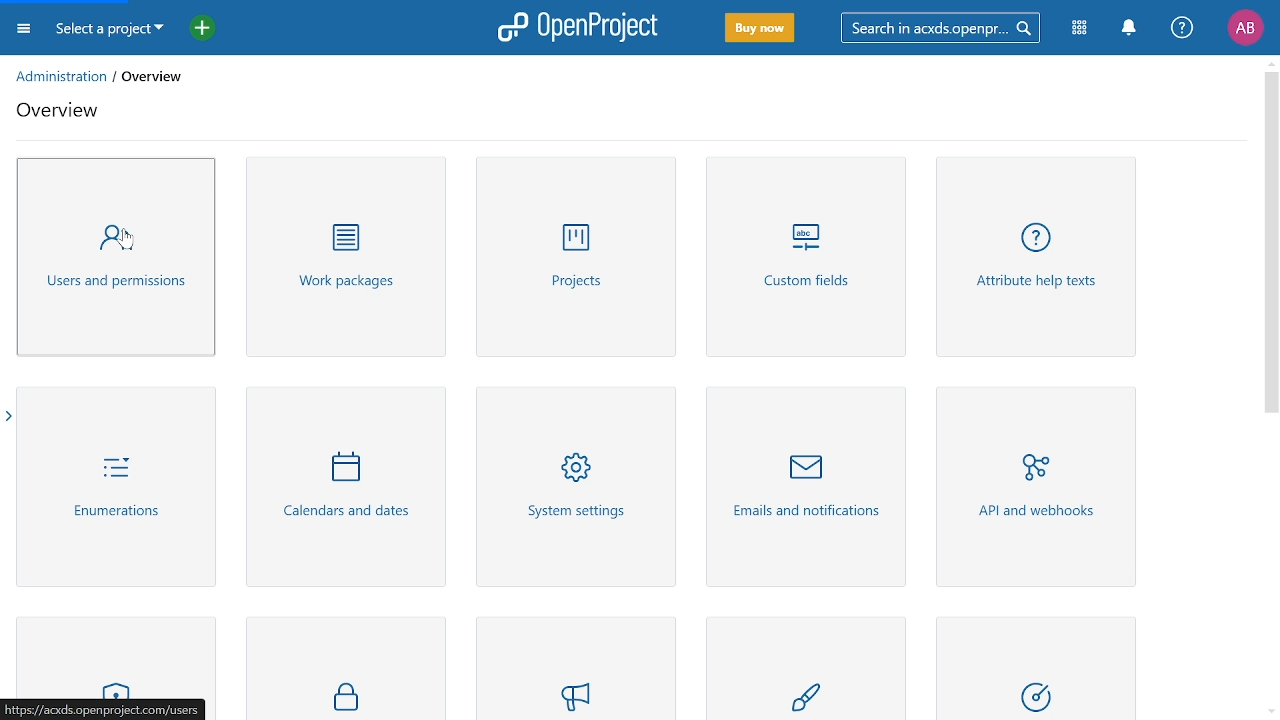 This screenshot has height=720, width=1280. I want to click on Modules, so click(1081, 27).